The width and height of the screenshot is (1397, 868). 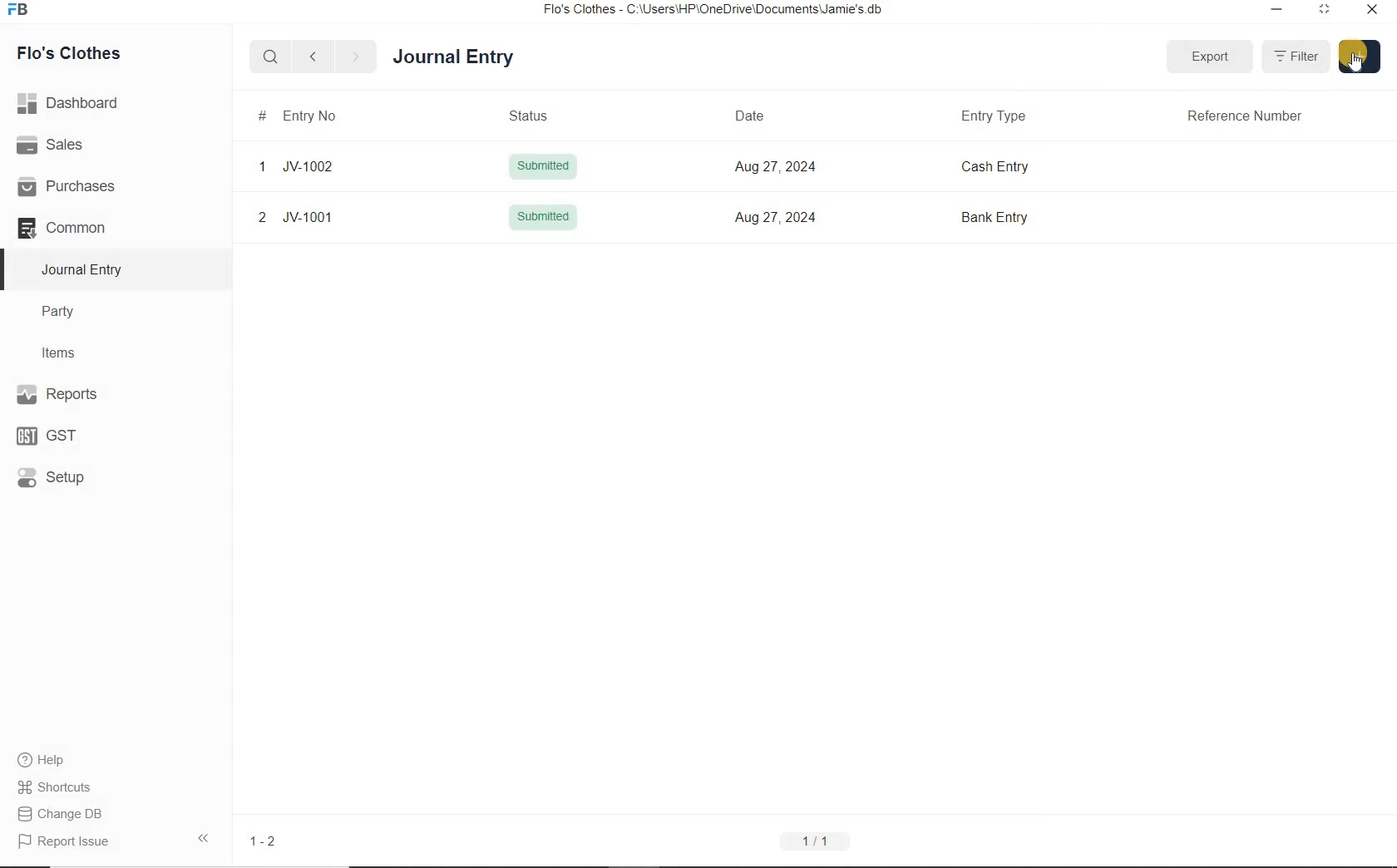 I want to click on forward, so click(x=357, y=57).